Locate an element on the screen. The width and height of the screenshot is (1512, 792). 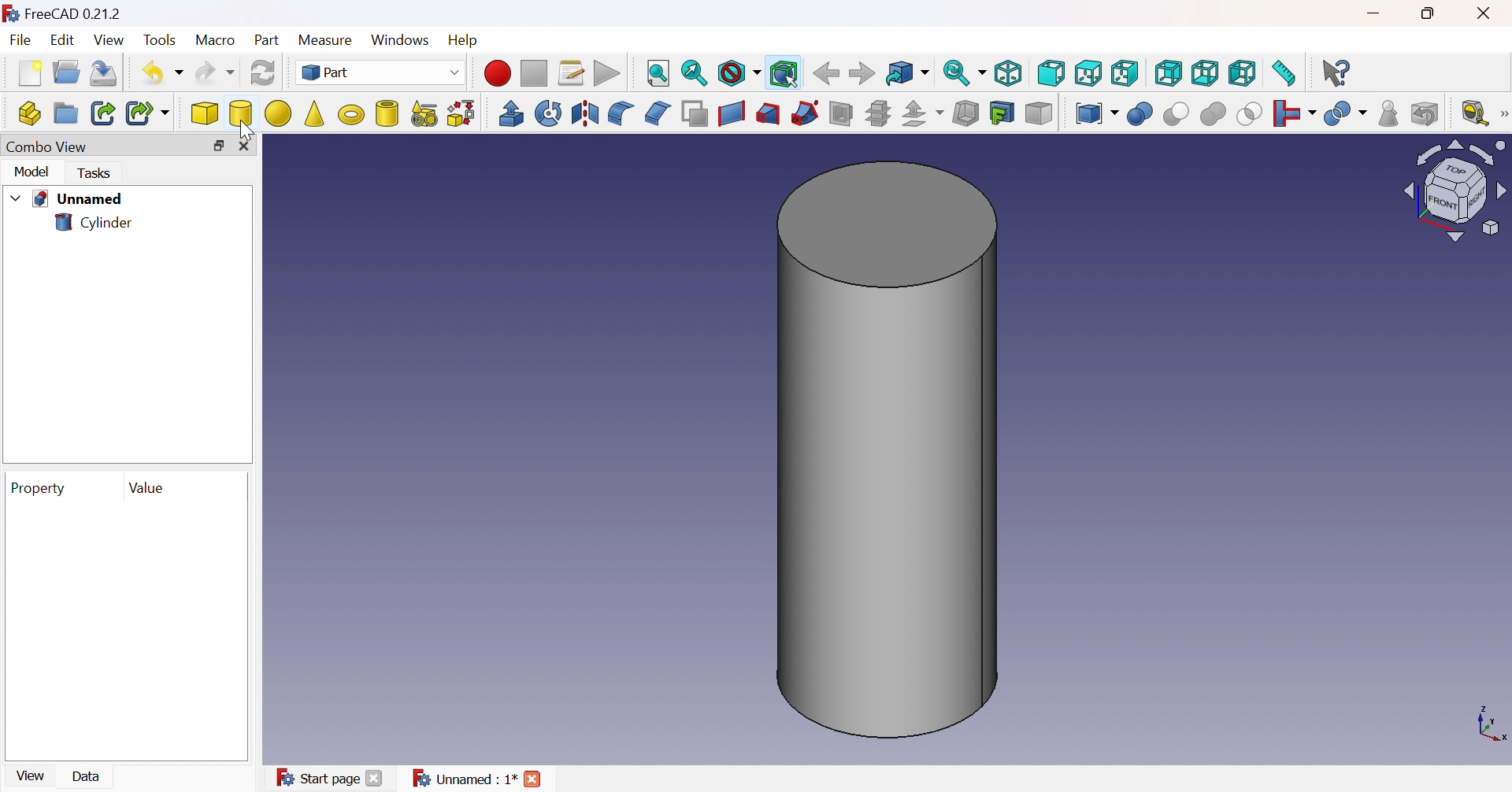
Split objects is located at coordinates (1347, 113).